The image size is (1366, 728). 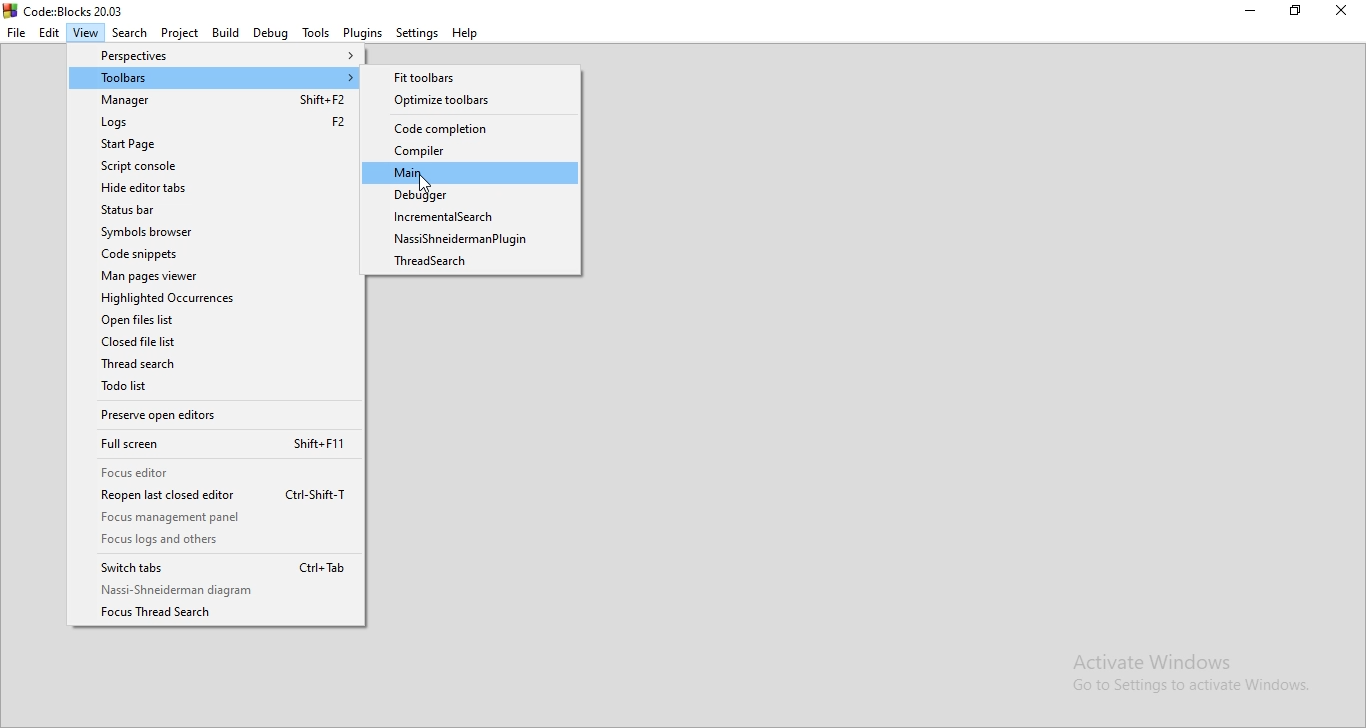 I want to click on Symbols browser, so click(x=213, y=230).